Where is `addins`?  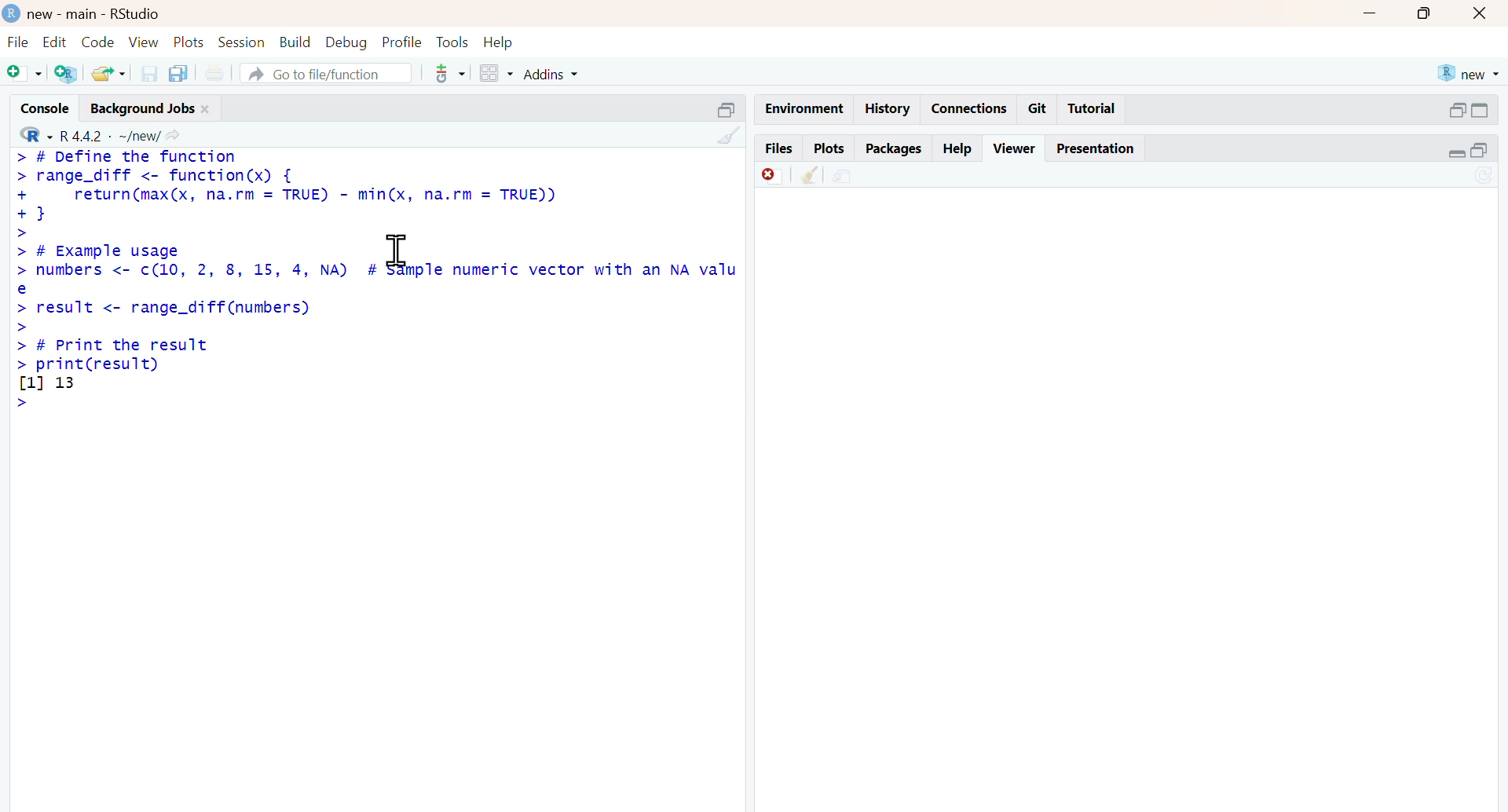 addins is located at coordinates (553, 75).